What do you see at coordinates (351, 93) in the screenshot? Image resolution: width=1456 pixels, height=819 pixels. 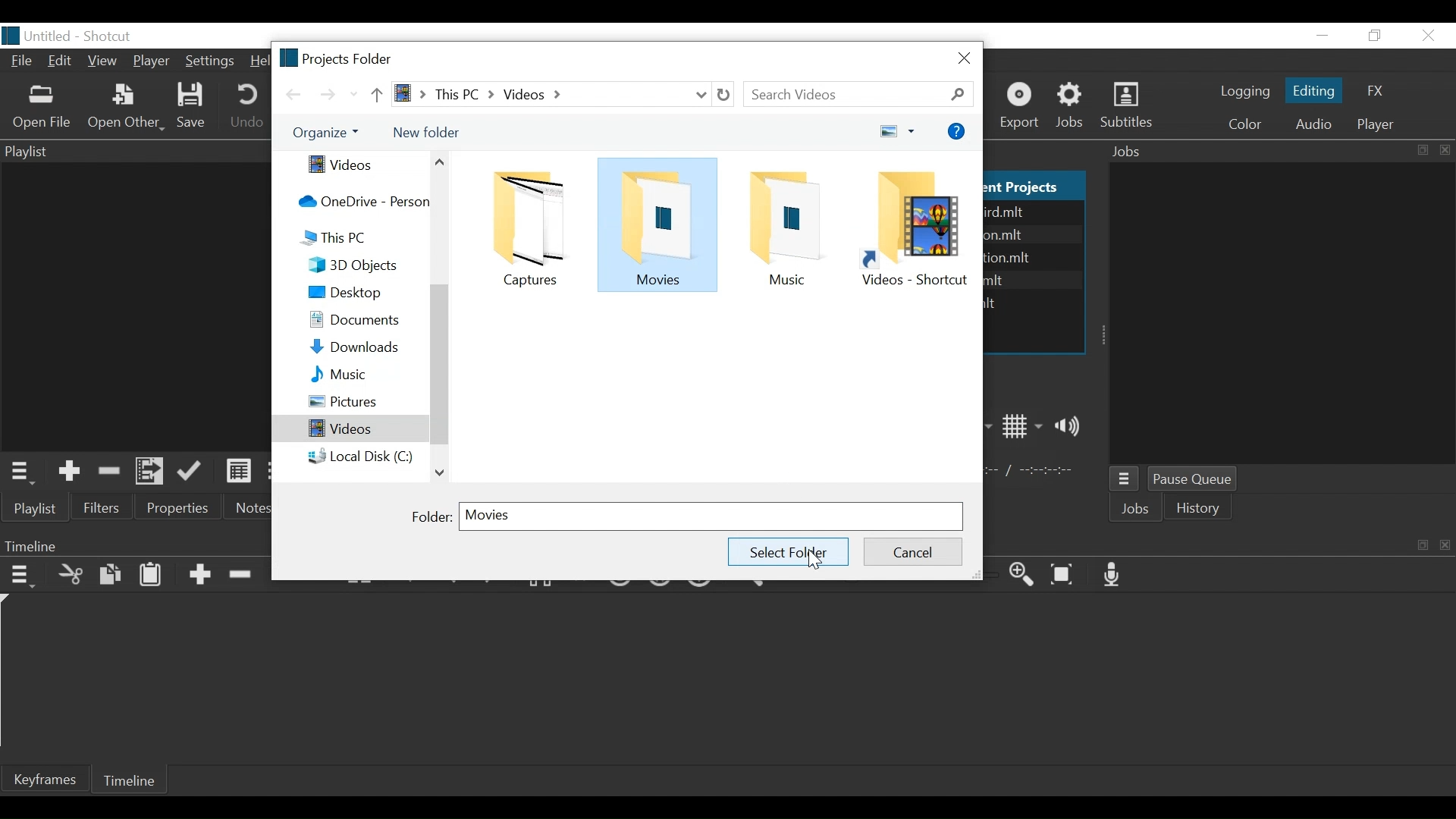 I see `Recent Locations` at bounding box center [351, 93].